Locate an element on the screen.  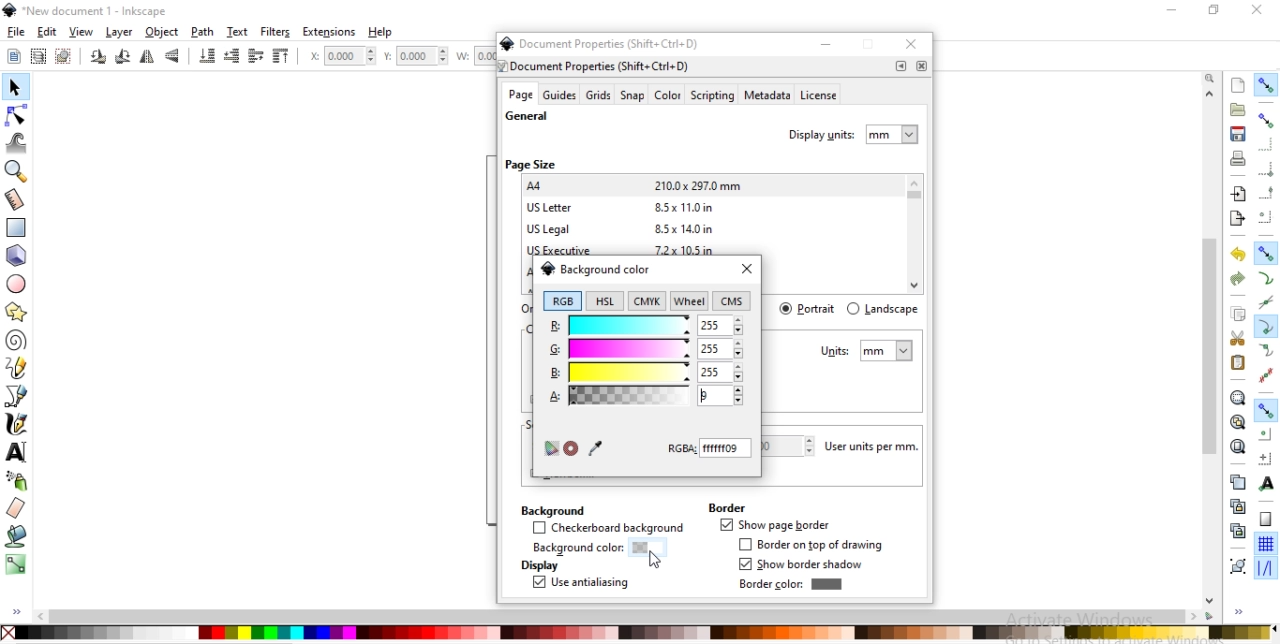
create spirals is located at coordinates (16, 341).